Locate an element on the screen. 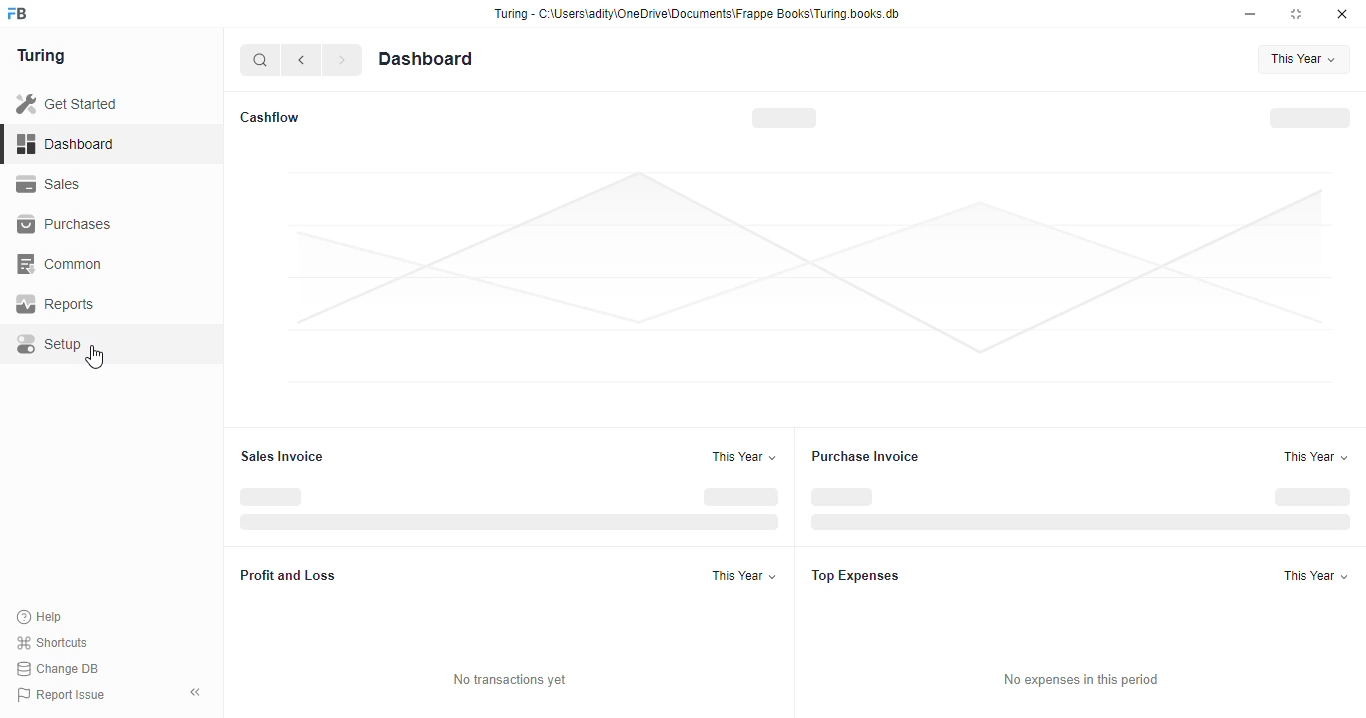  frappebooks logo is located at coordinates (26, 14).